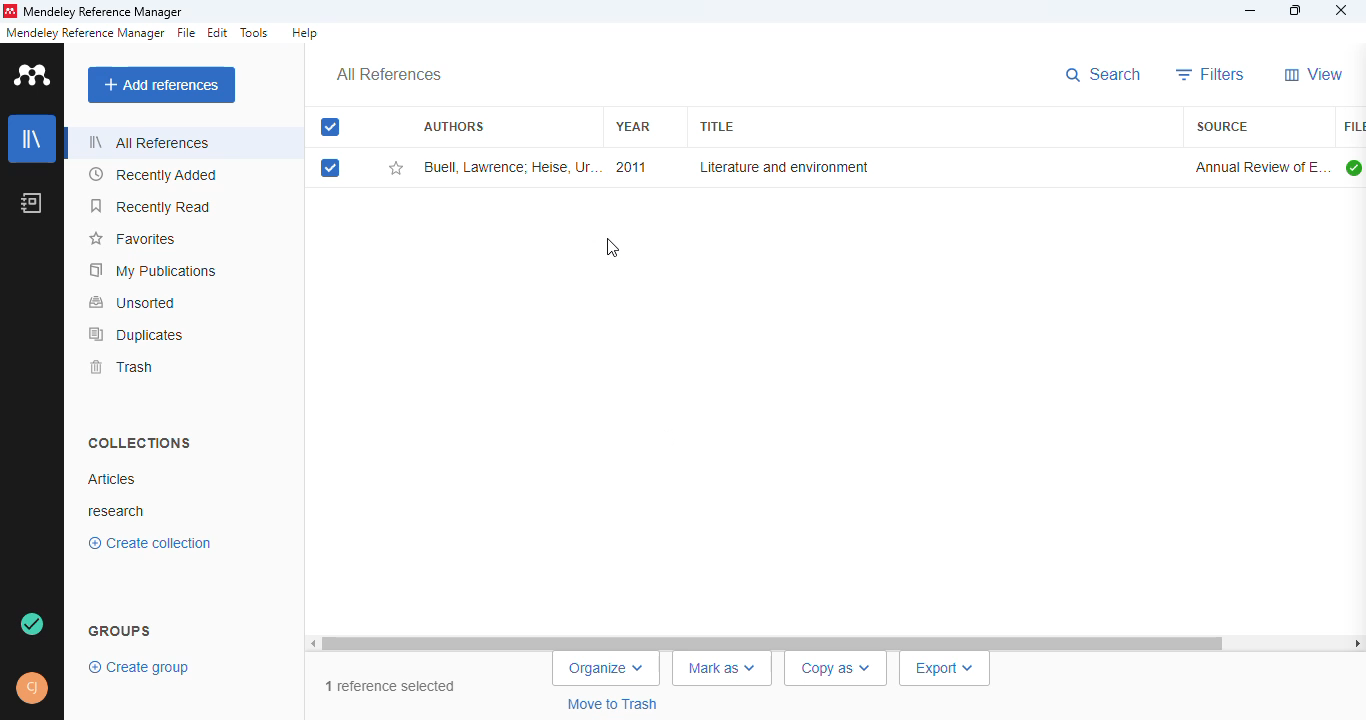  What do you see at coordinates (31, 625) in the screenshot?
I see `sync` at bounding box center [31, 625].